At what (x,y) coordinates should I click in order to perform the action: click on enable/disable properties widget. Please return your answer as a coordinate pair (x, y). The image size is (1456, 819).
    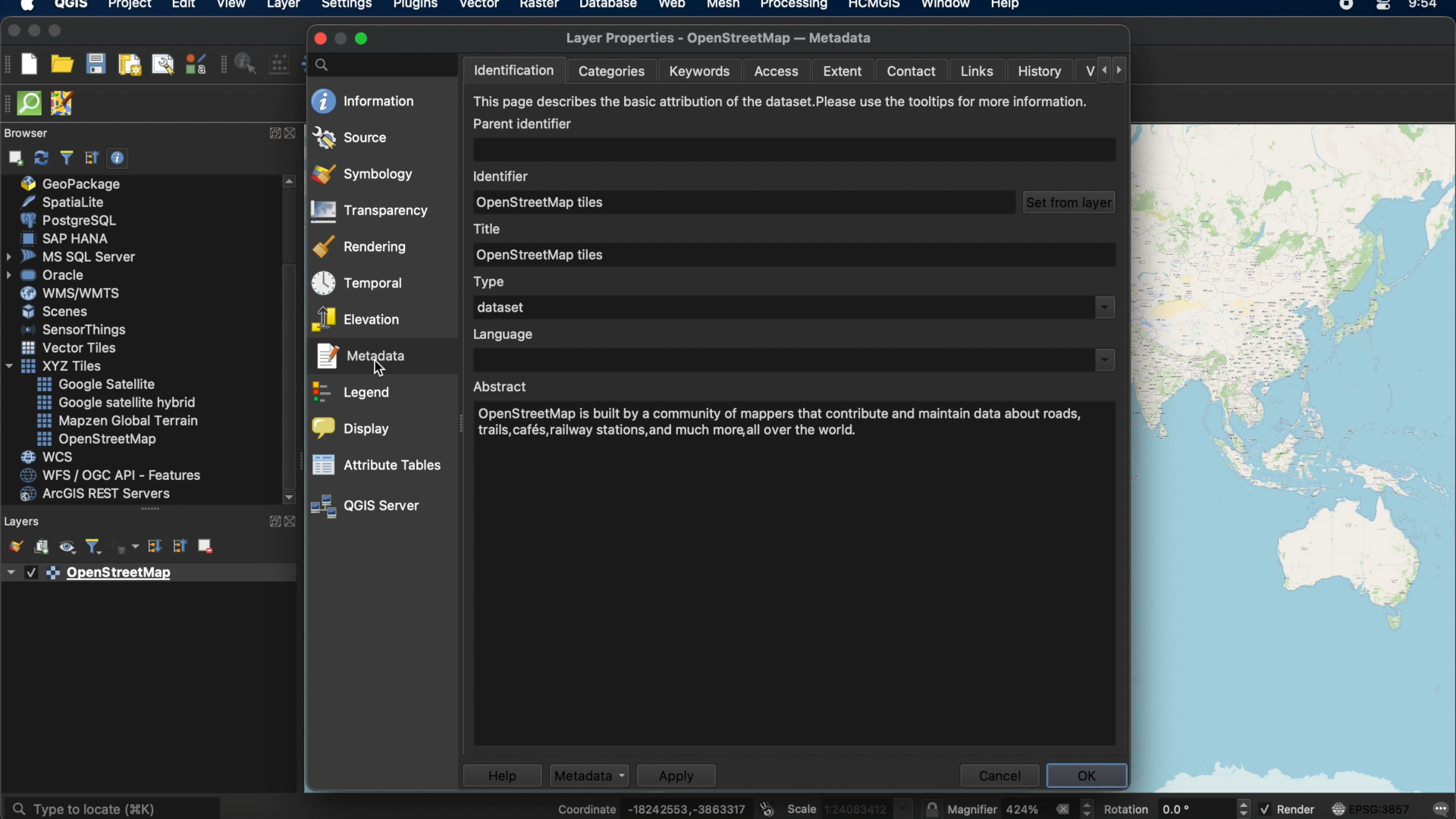
    Looking at the image, I should click on (118, 158).